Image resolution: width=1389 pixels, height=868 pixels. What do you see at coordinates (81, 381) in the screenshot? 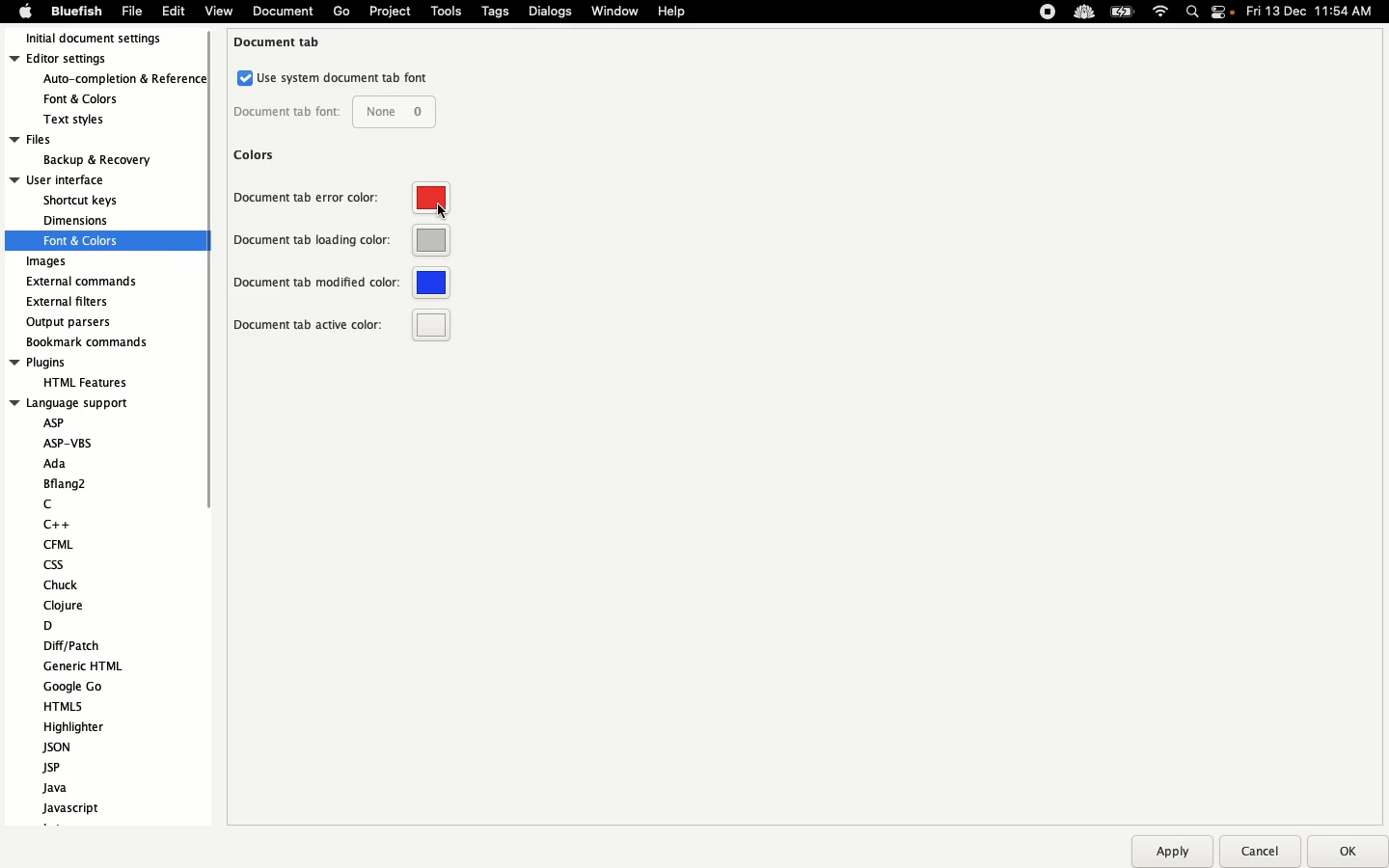
I see `HTML feature` at bounding box center [81, 381].